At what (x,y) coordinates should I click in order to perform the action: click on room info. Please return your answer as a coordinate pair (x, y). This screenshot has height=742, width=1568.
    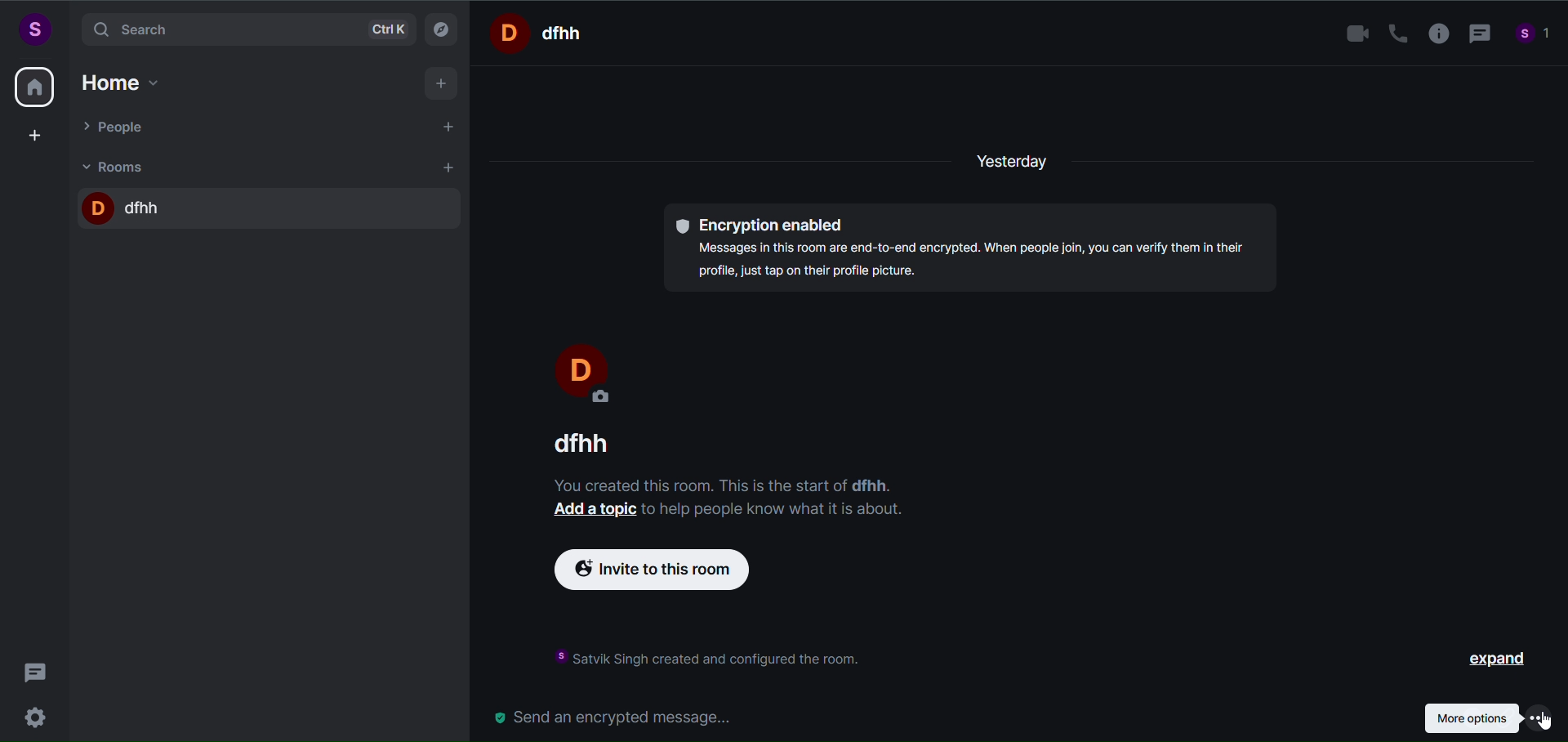
    Looking at the image, I should click on (1433, 34).